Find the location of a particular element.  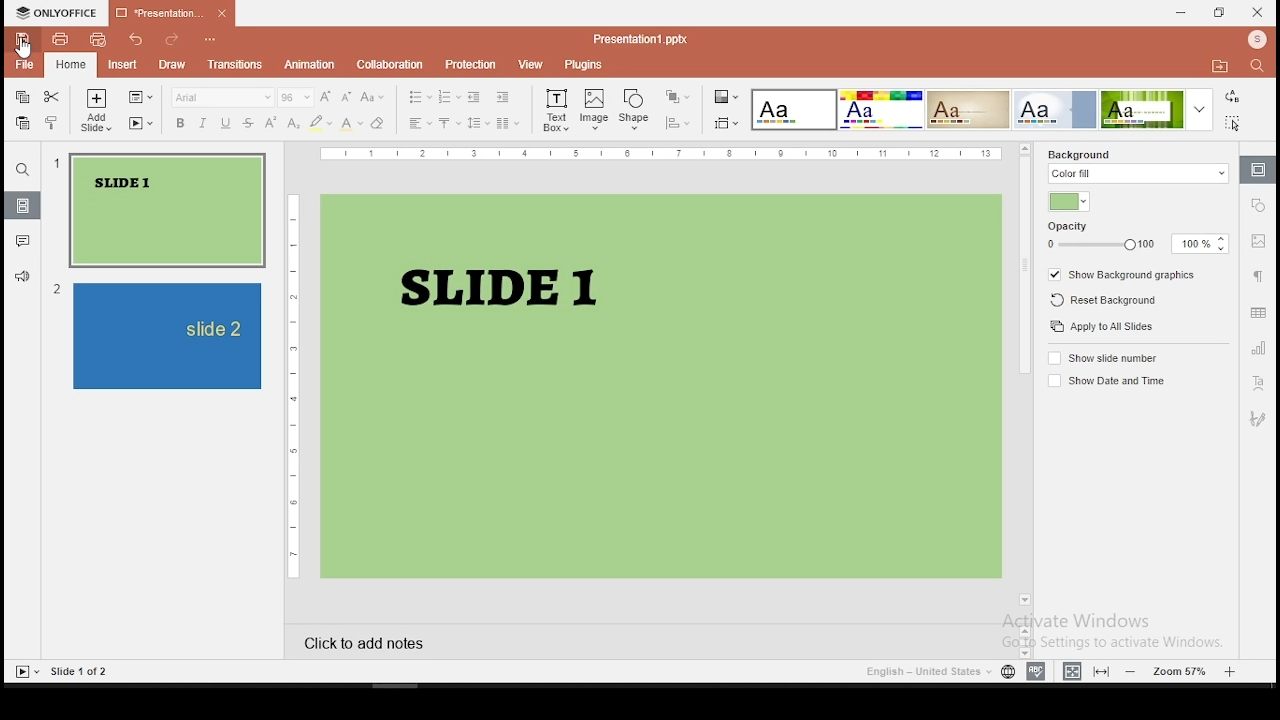

show slide number is located at coordinates (1107, 358).